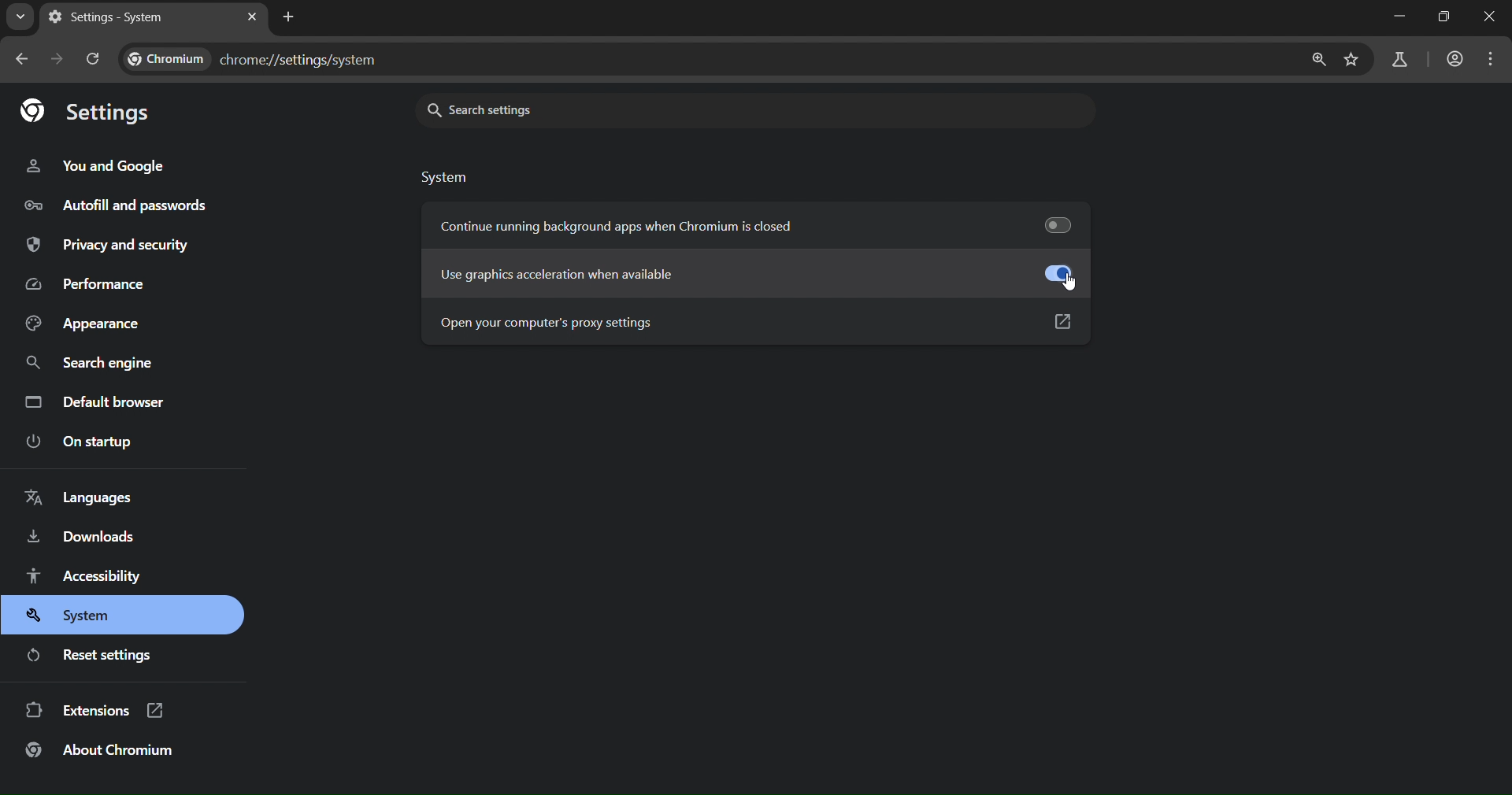 This screenshot has height=795, width=1512. I want to click on downloads, so click(86, 534).